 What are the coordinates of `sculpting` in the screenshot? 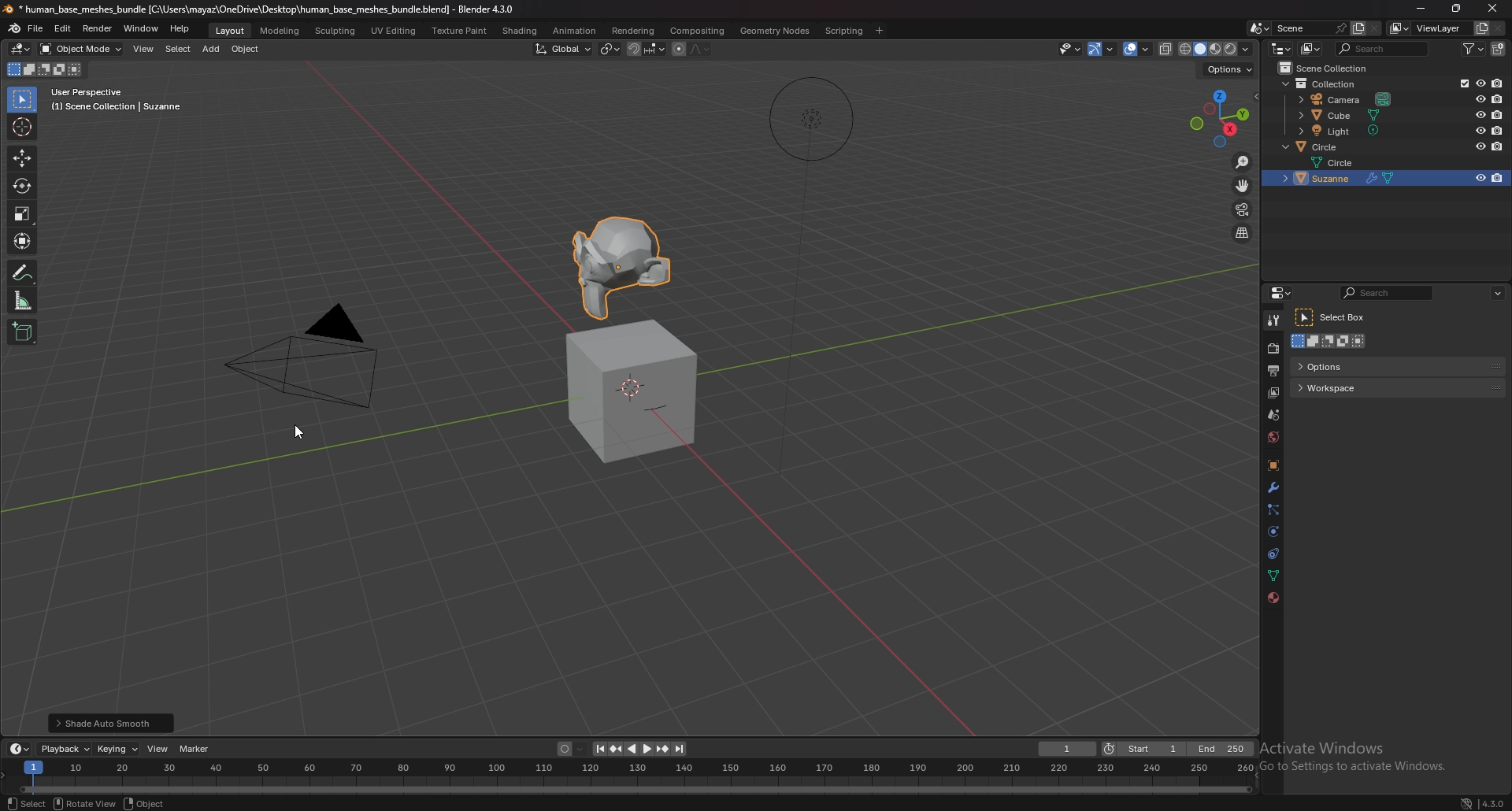 It's located at (335, 30).